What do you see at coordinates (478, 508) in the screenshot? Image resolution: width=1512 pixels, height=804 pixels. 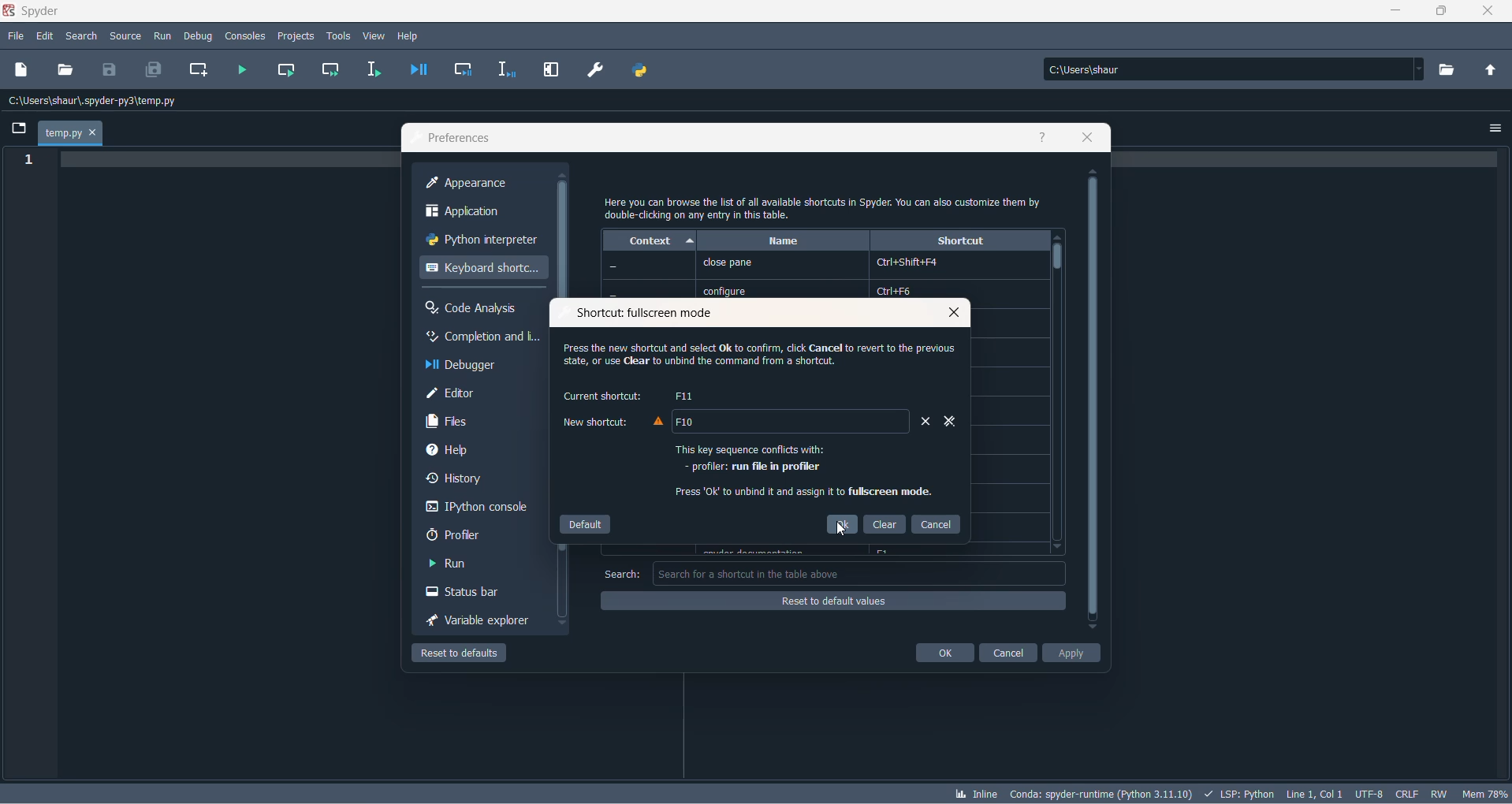 I see `ipython console` at bounding box center [478, 508].